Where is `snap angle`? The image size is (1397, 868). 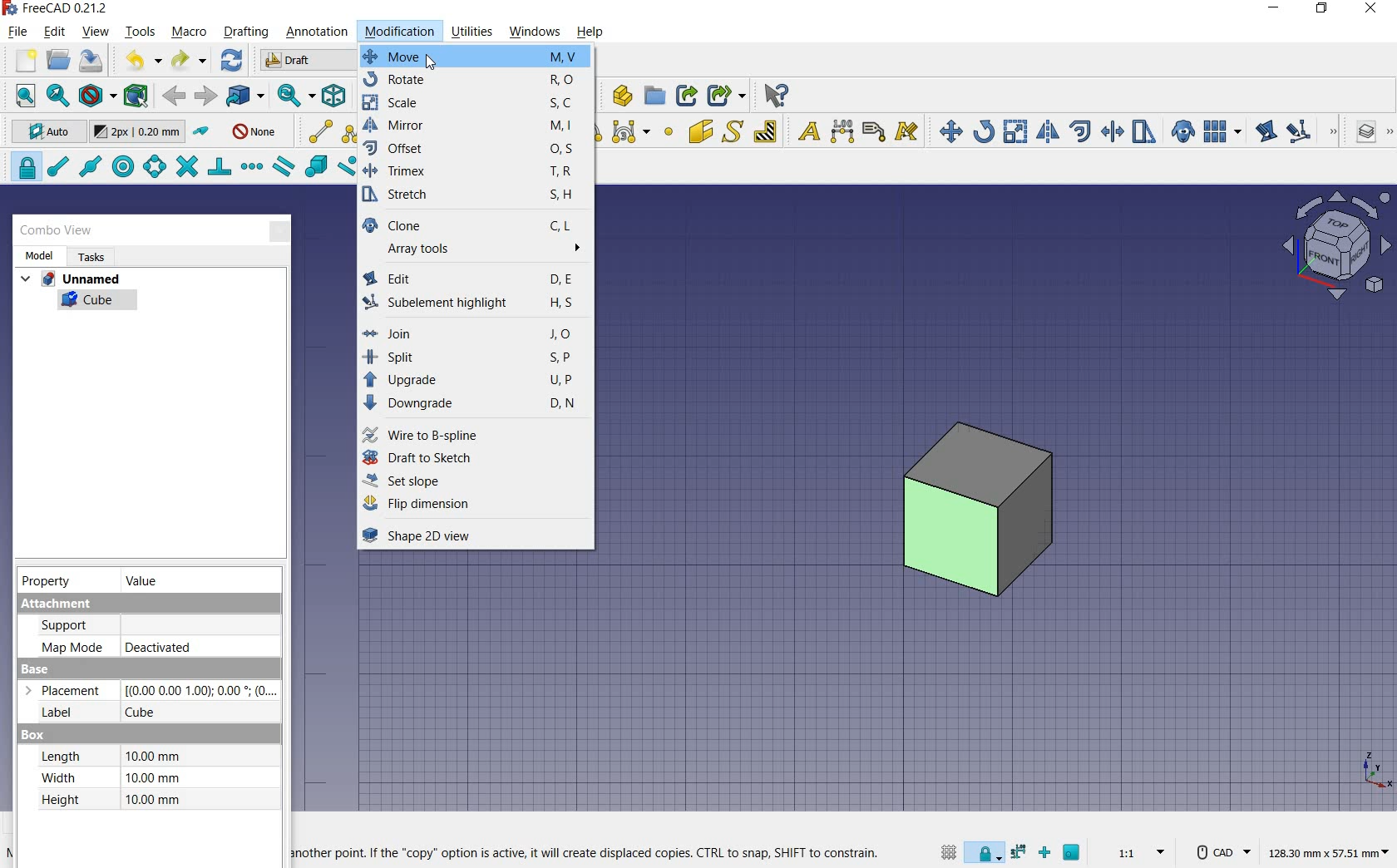
snap angle is located at coordinates (154, 167).